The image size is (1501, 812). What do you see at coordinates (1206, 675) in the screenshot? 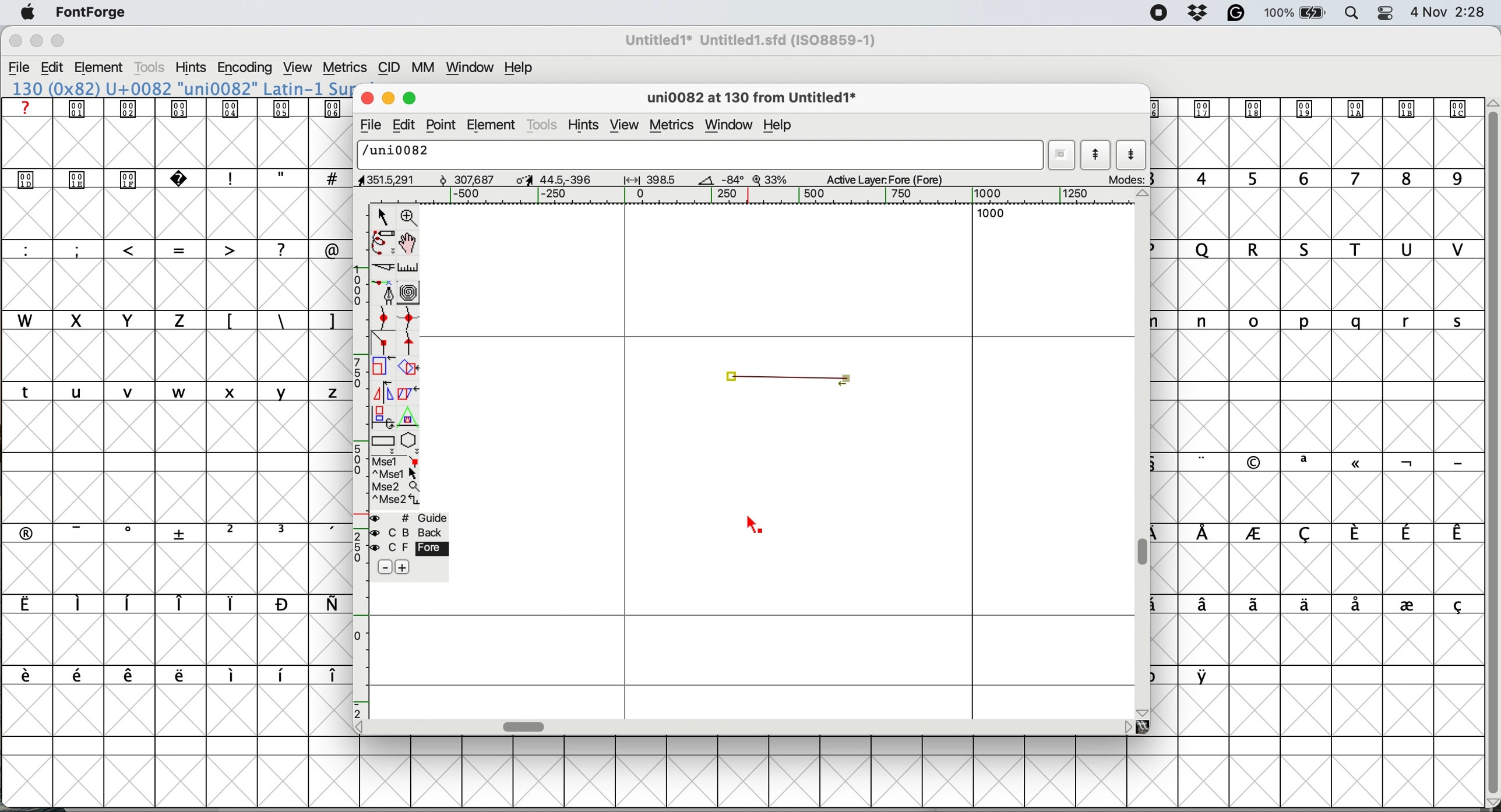
I see `symbol` at bounding box center [1206, 675].